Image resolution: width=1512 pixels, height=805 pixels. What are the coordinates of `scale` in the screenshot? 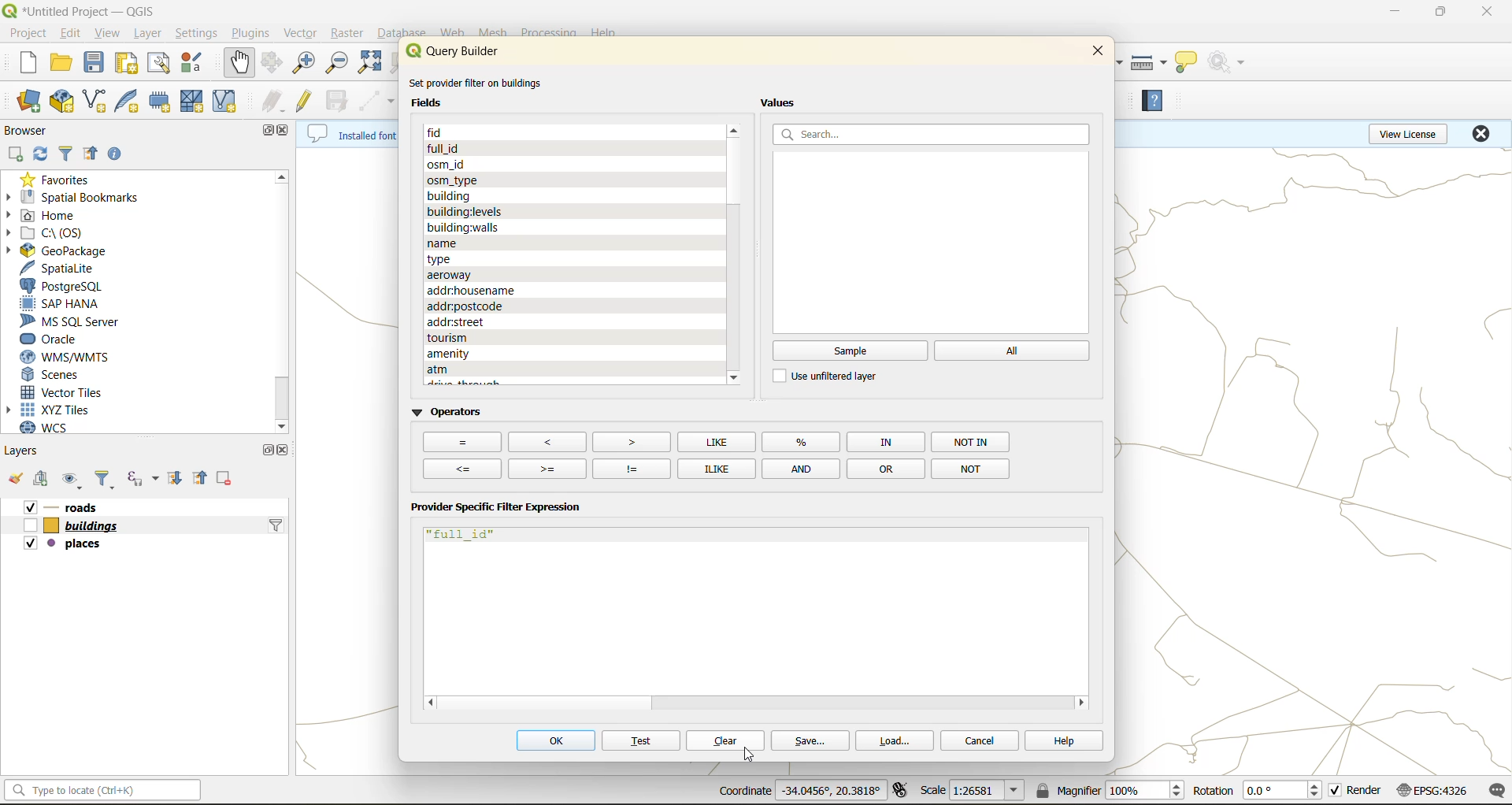 It's located at (976, 792).